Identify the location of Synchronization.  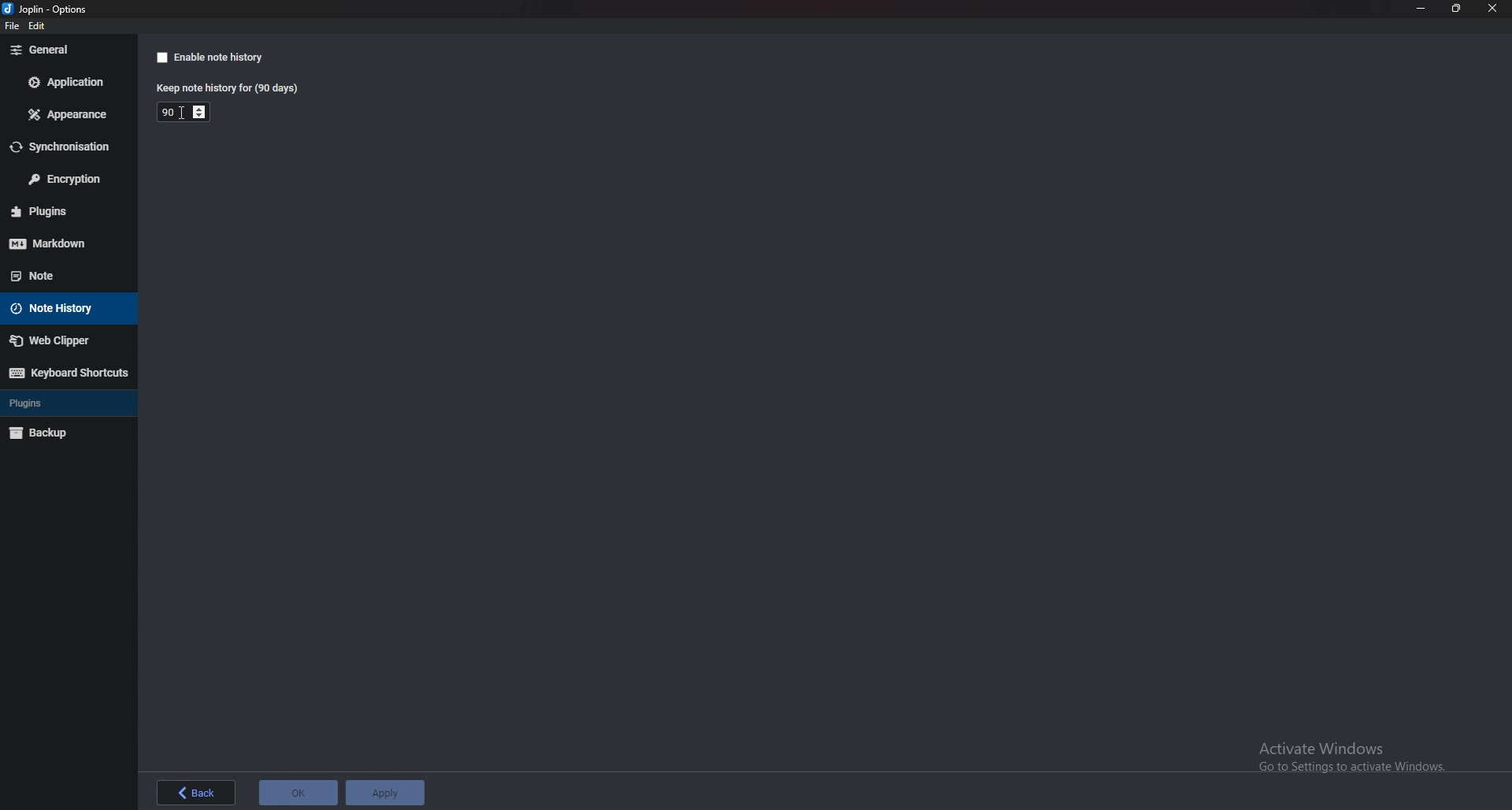
(66, 147).